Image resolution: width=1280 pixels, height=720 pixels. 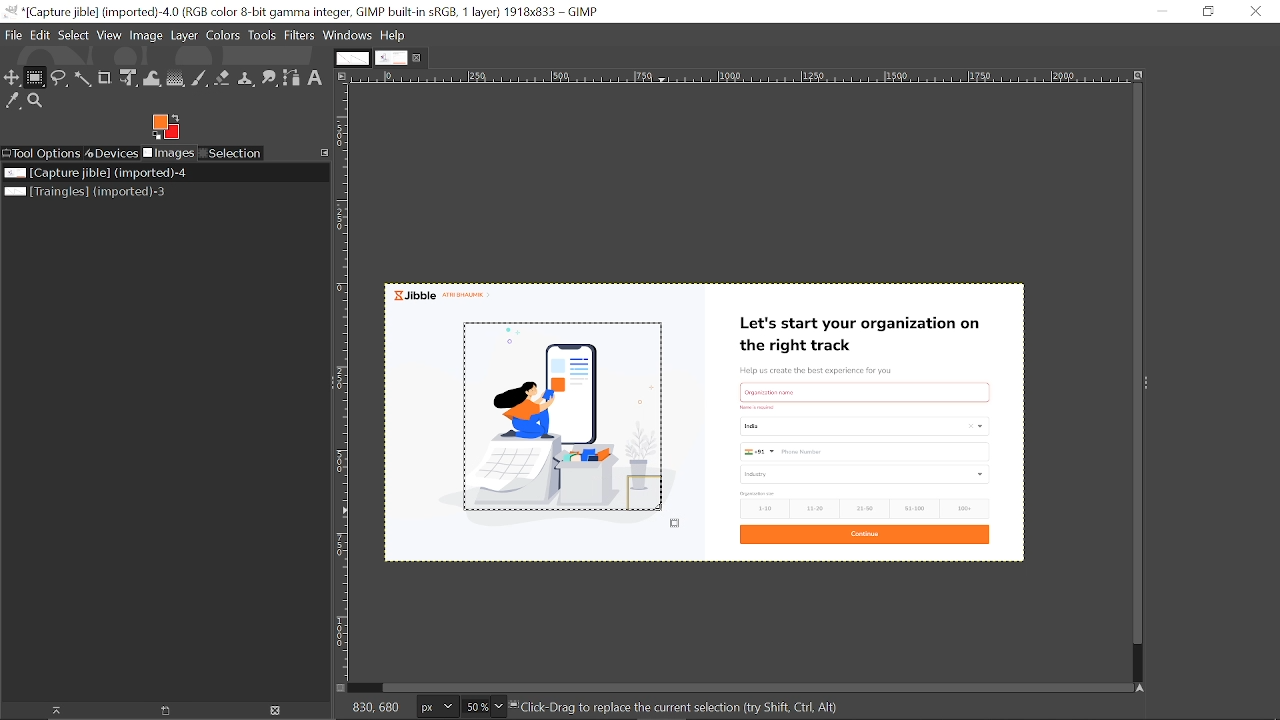 I want to click on Vertical scrollbar , so click(x=1131, y=363).